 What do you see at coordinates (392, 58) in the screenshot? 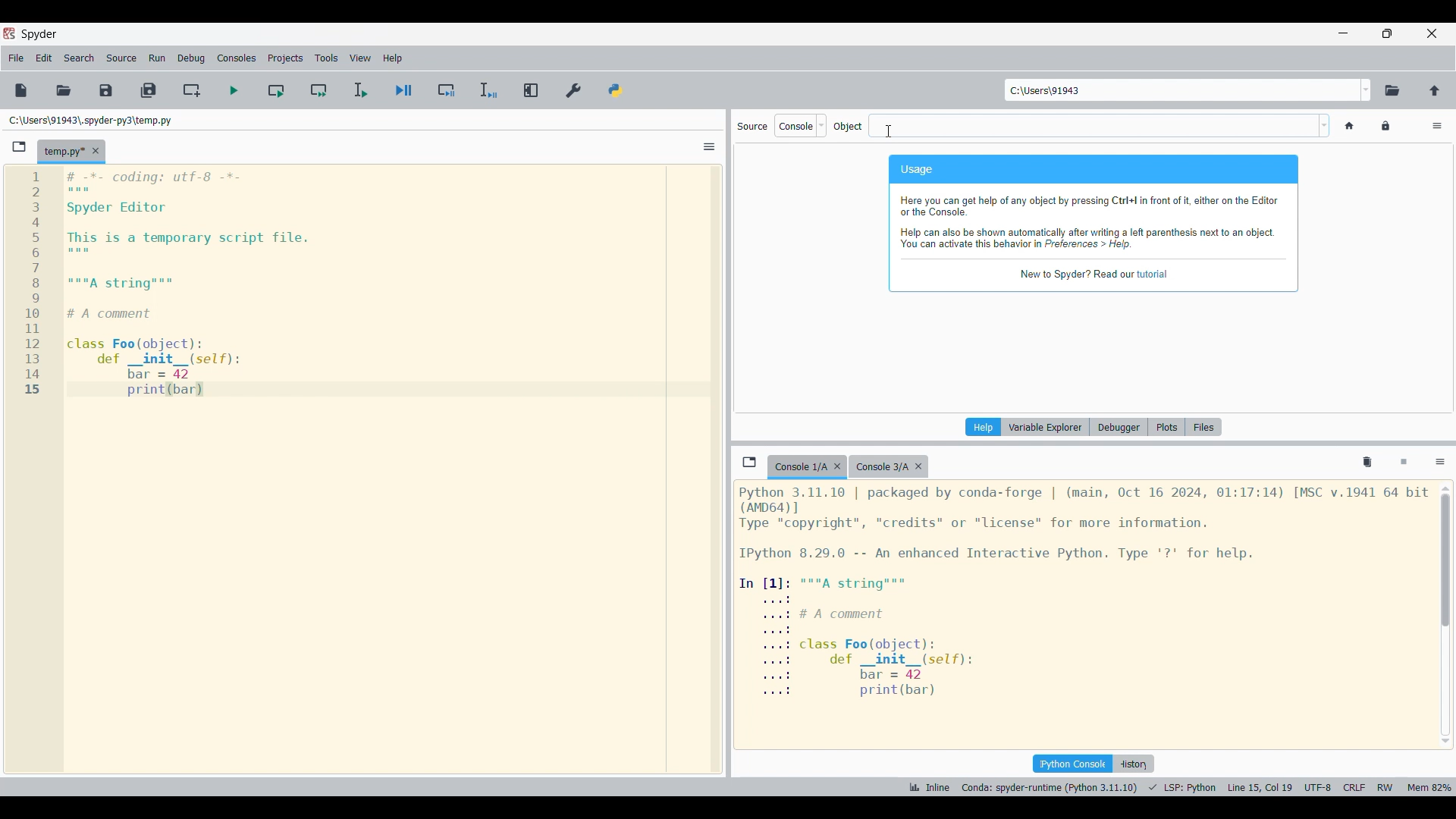
I see `Help menu` at bounding box center [392, 58].